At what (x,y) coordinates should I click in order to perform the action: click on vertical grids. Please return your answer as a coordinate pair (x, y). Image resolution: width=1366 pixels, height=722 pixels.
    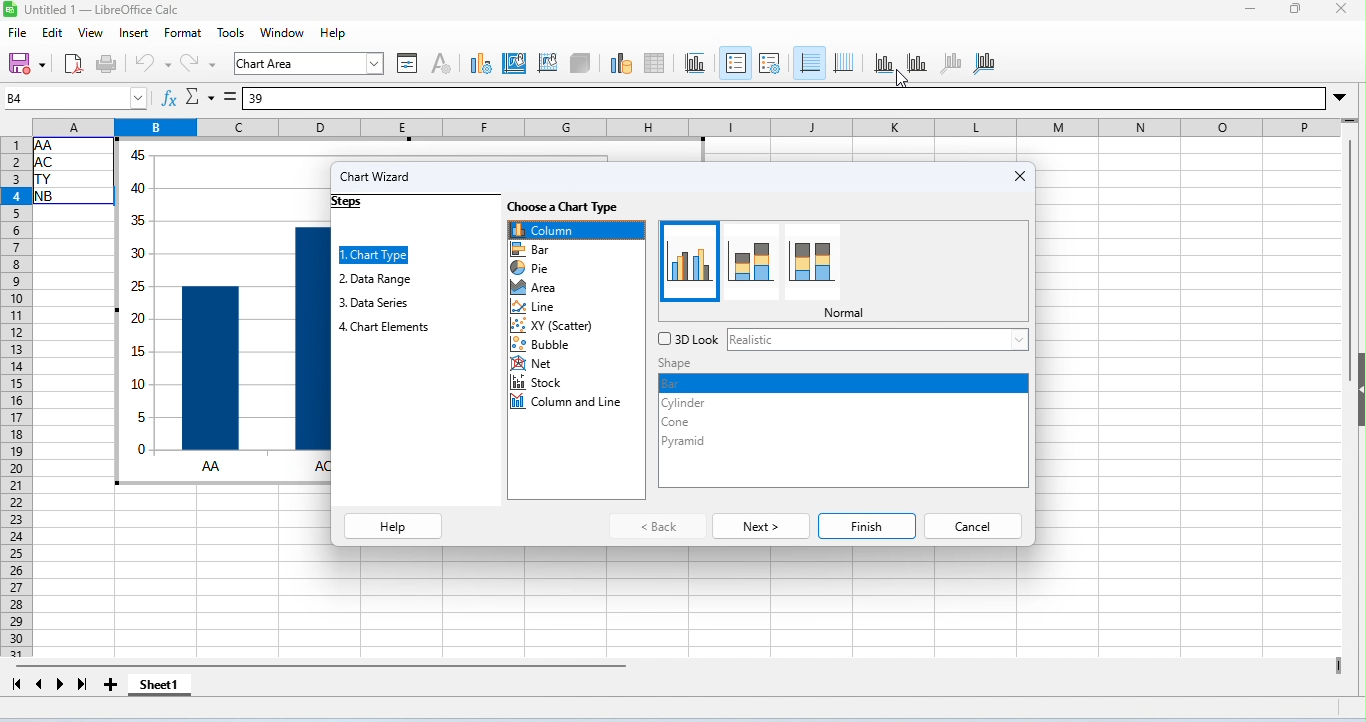
    Looking at the image, I should click on (849, 61).